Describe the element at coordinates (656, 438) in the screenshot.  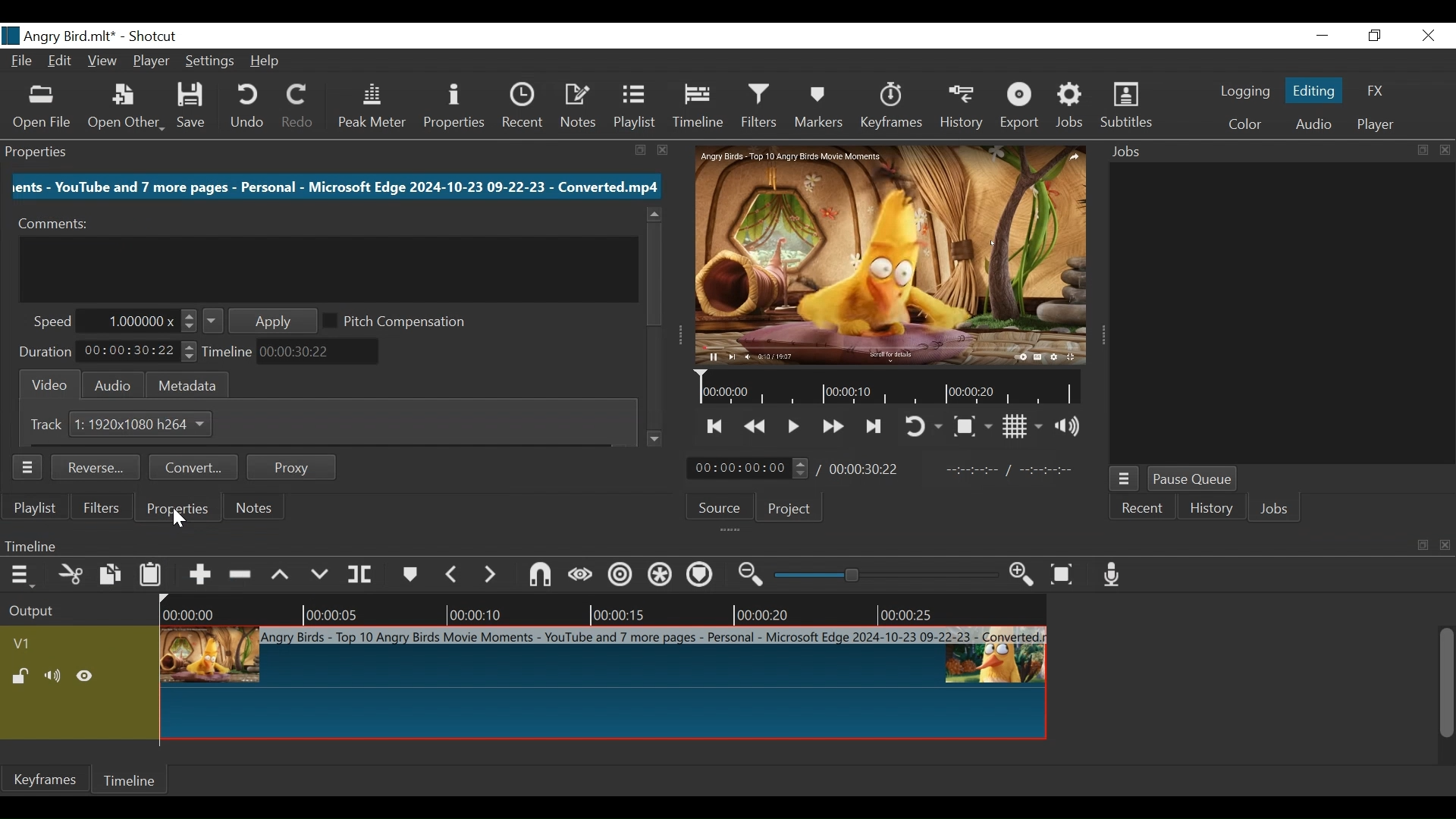
I see `Scroll down` at that location.